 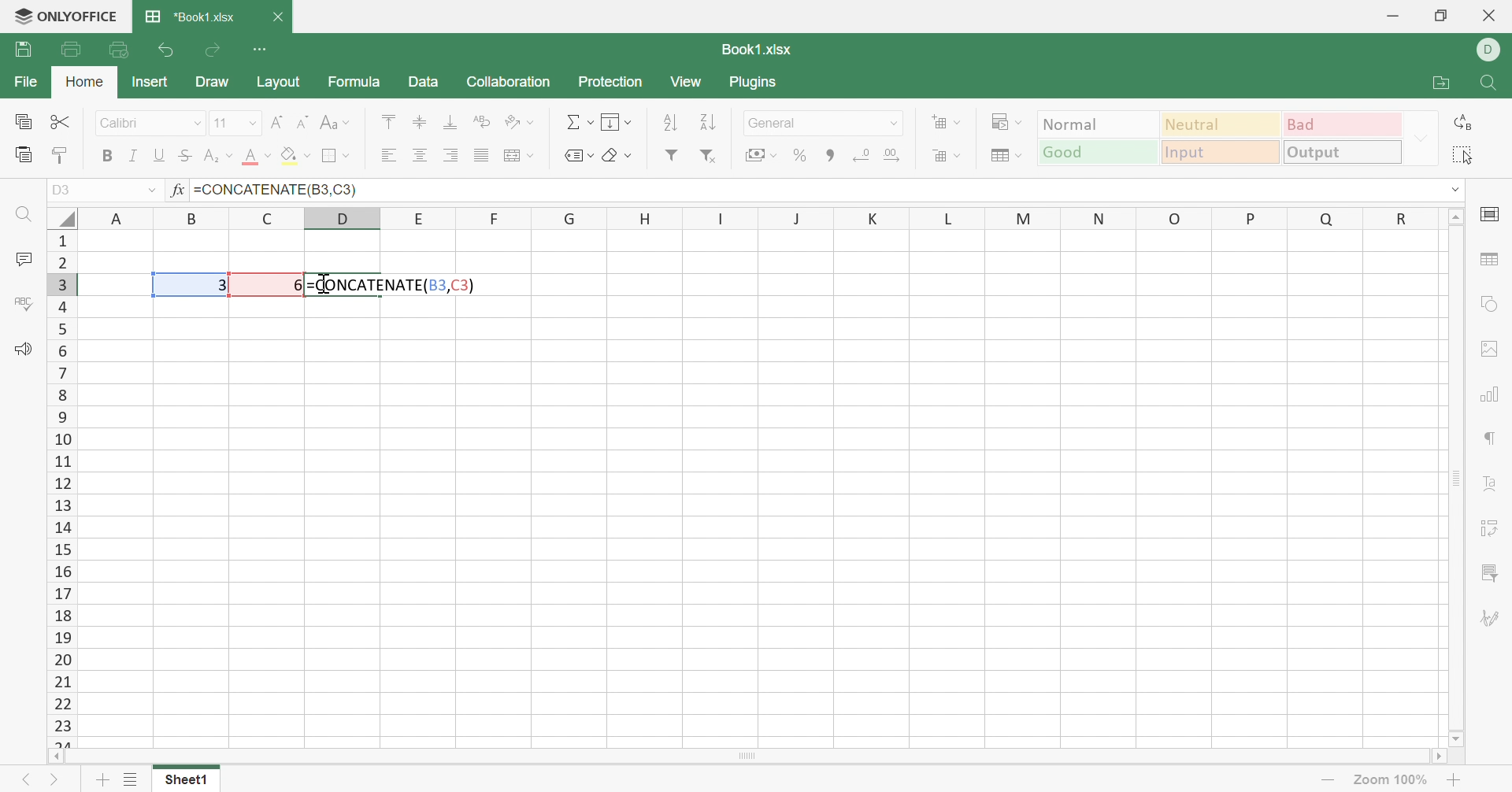 I want to click on DELL, so click(x=1491, y=48).